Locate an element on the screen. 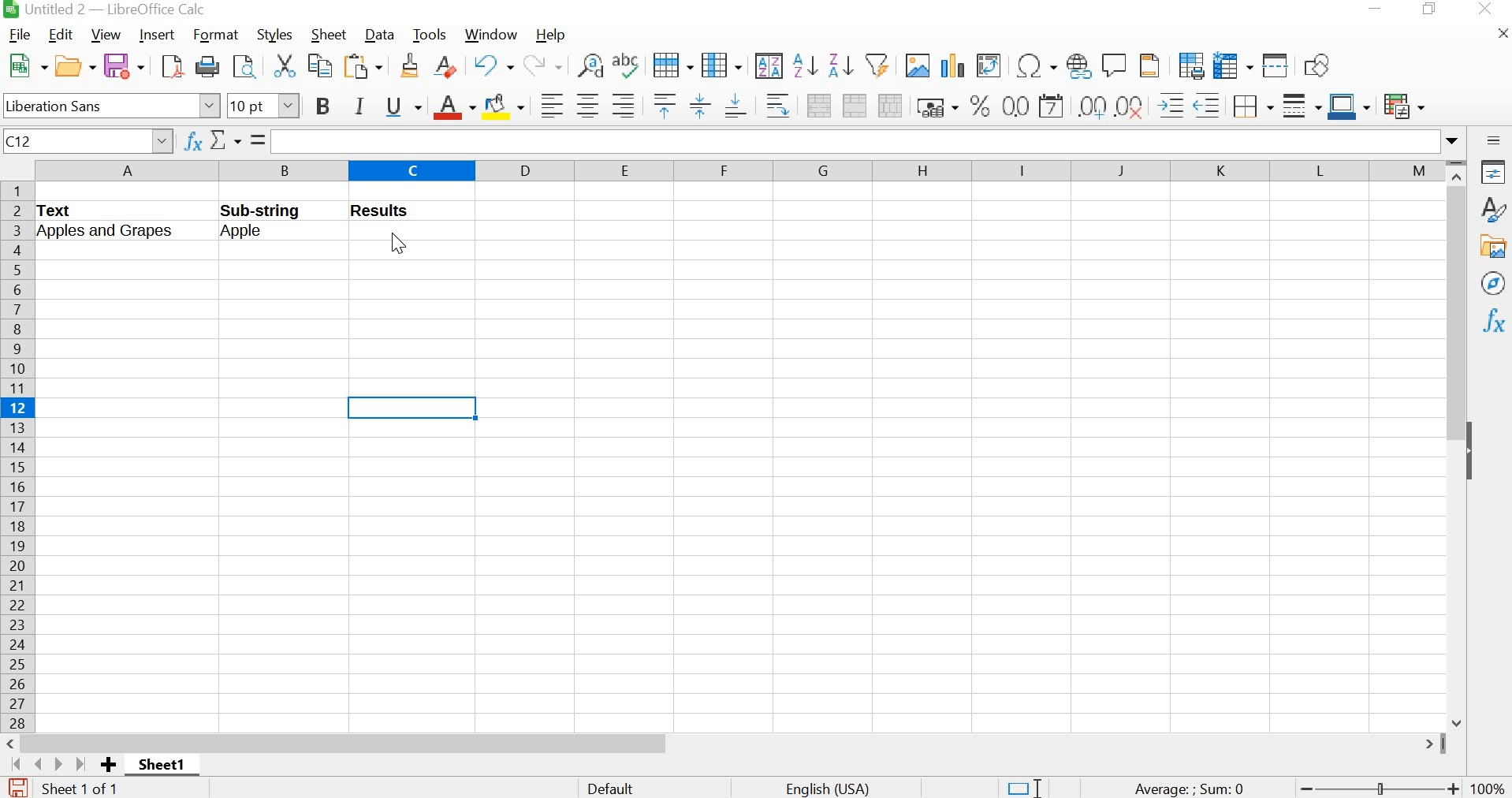  selected cell is located at coordinates (415, 410).